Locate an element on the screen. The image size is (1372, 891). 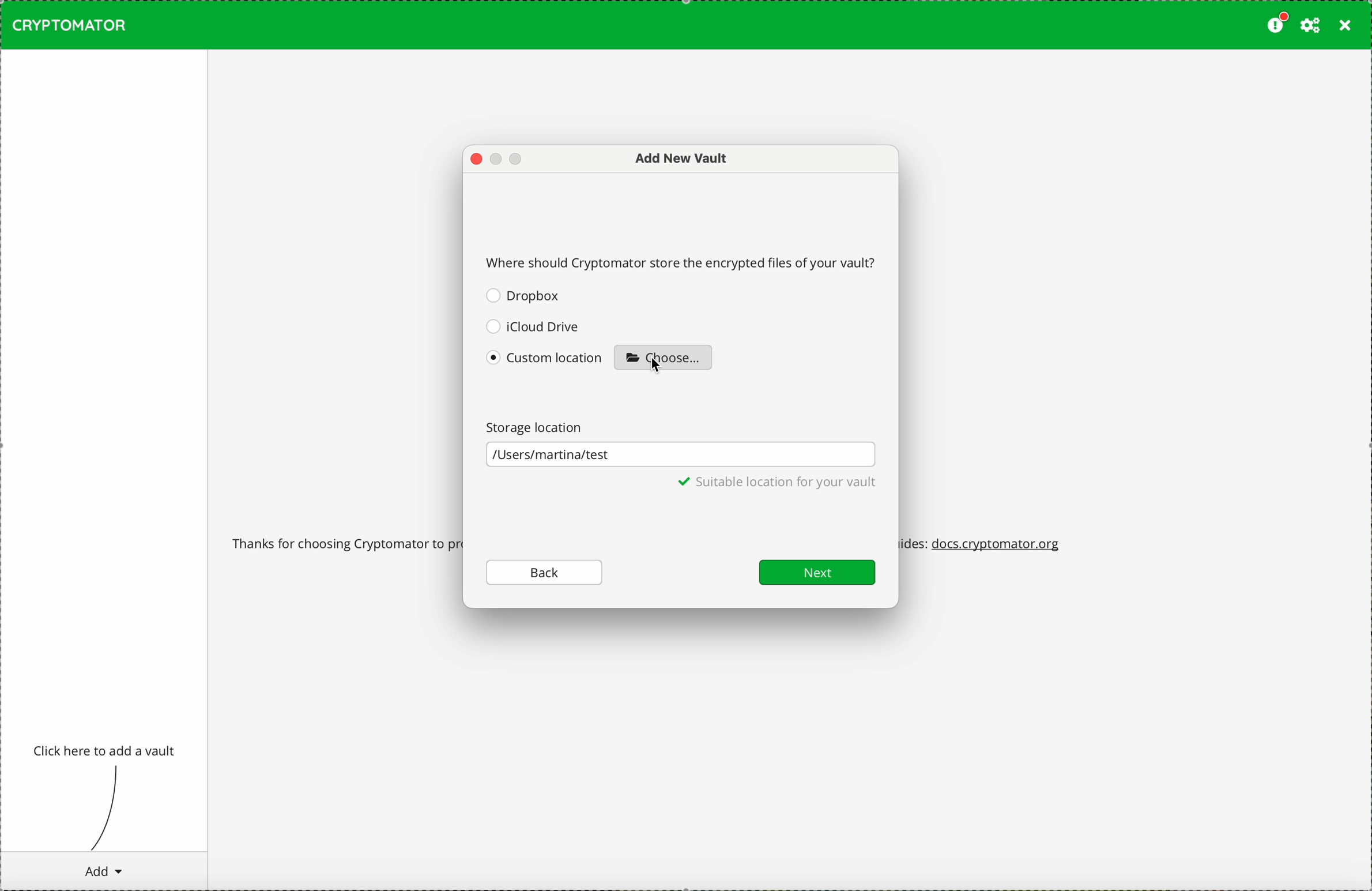
storage location is located at coordinates (540, 426).